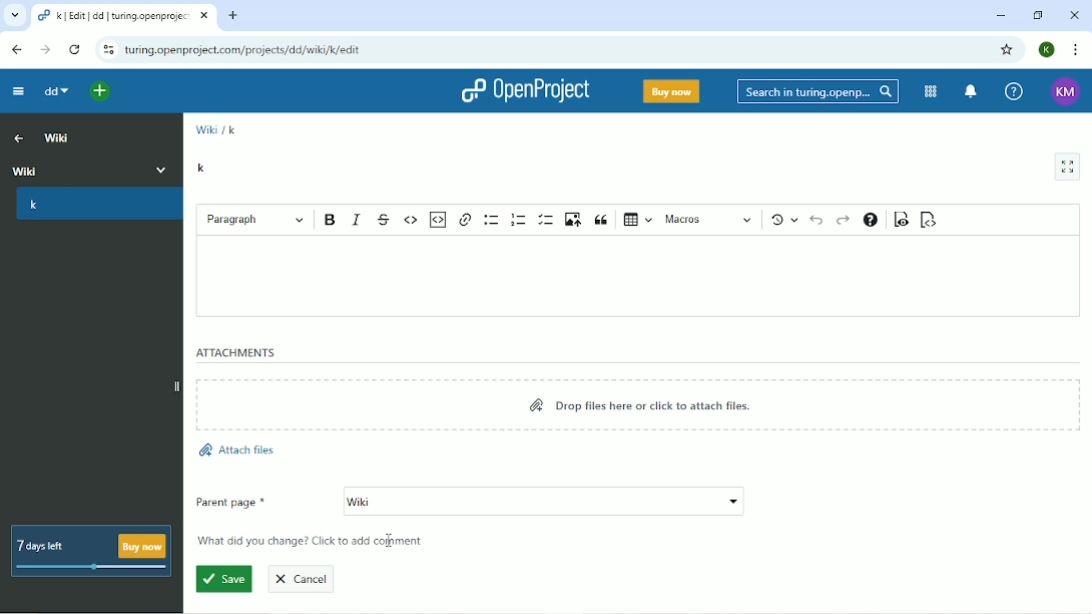  What do you see at coordinates (385, 218) in the screenshot?
I see `Strikethrough` at bounding box center [385, 218].